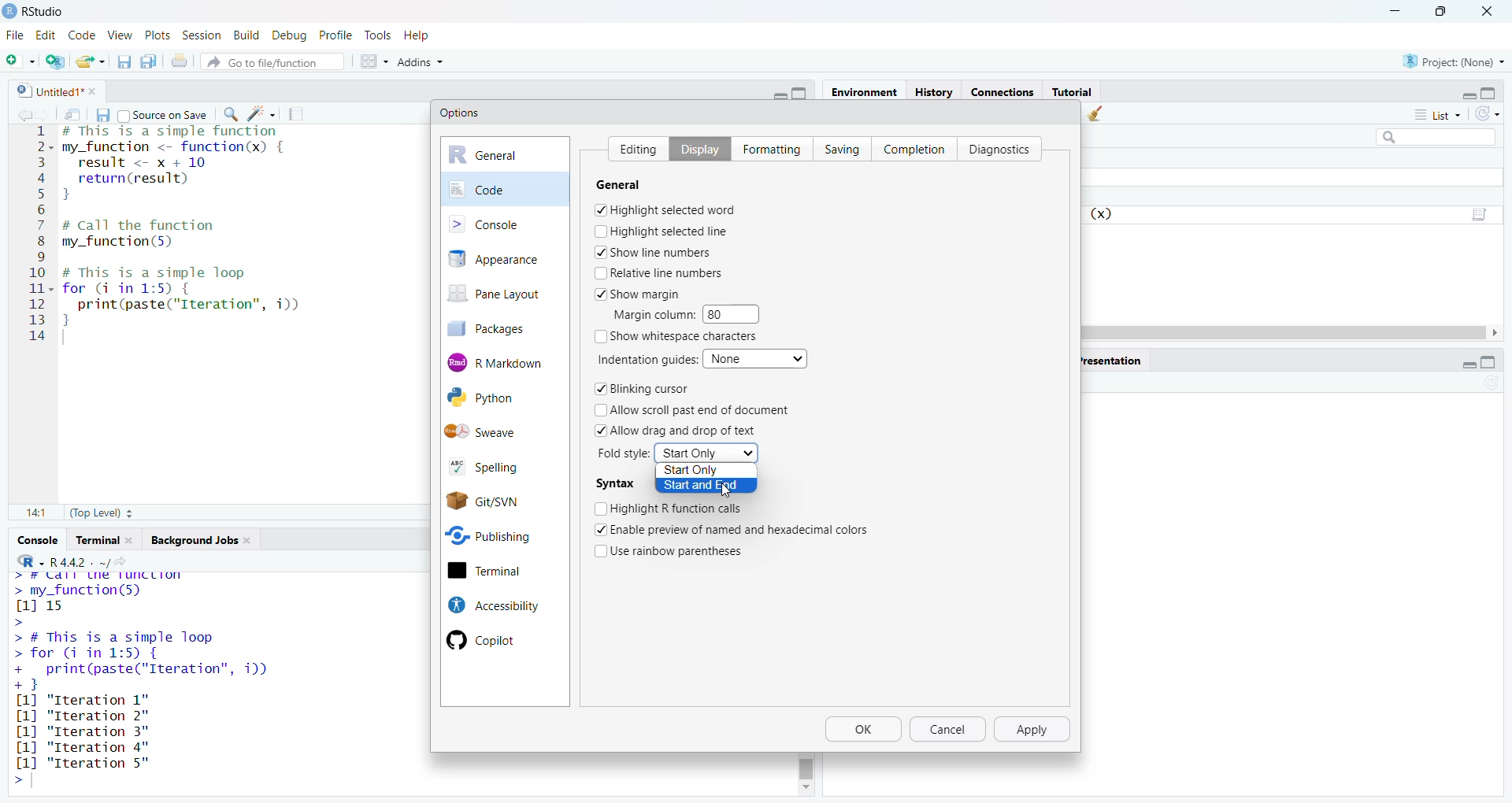 This screenshot has height=803, width=1512. Describe the element at coordinates (99, 515) in the screenshot. I see `(Top Level)` at that location.